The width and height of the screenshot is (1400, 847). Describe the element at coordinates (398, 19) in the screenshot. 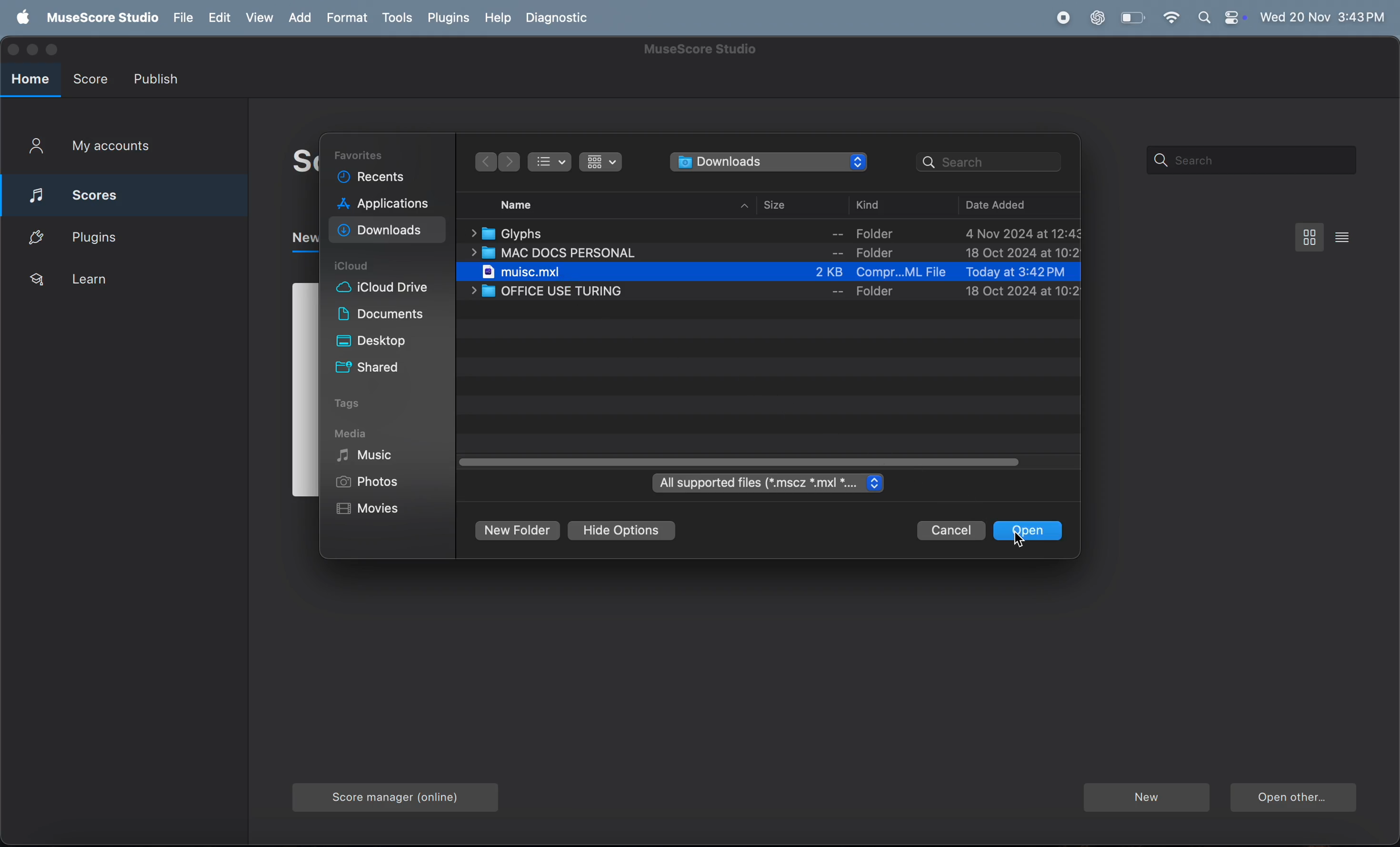

I see `tools` at that location.